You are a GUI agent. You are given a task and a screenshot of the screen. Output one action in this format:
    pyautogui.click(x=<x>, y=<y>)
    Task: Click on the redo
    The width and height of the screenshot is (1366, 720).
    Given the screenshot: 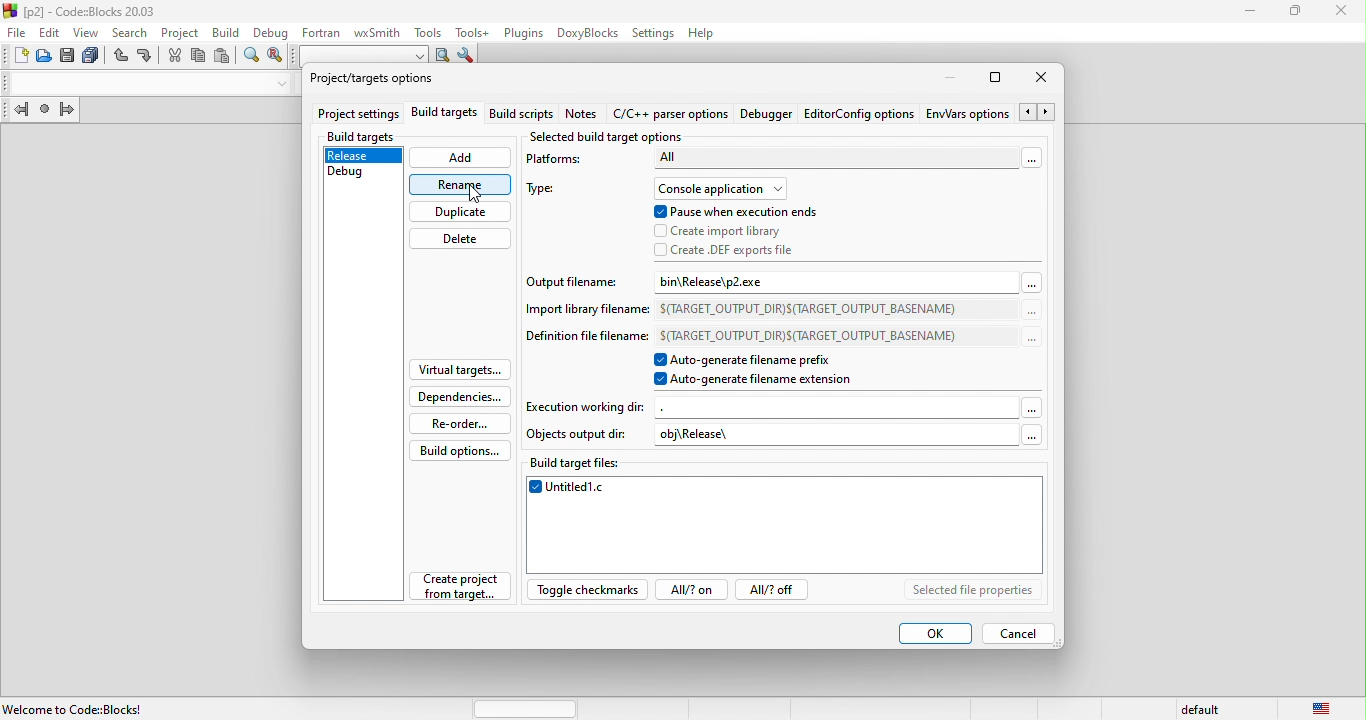 What is the action you would take?
    pyautogui.click(x=146, y=57)
    